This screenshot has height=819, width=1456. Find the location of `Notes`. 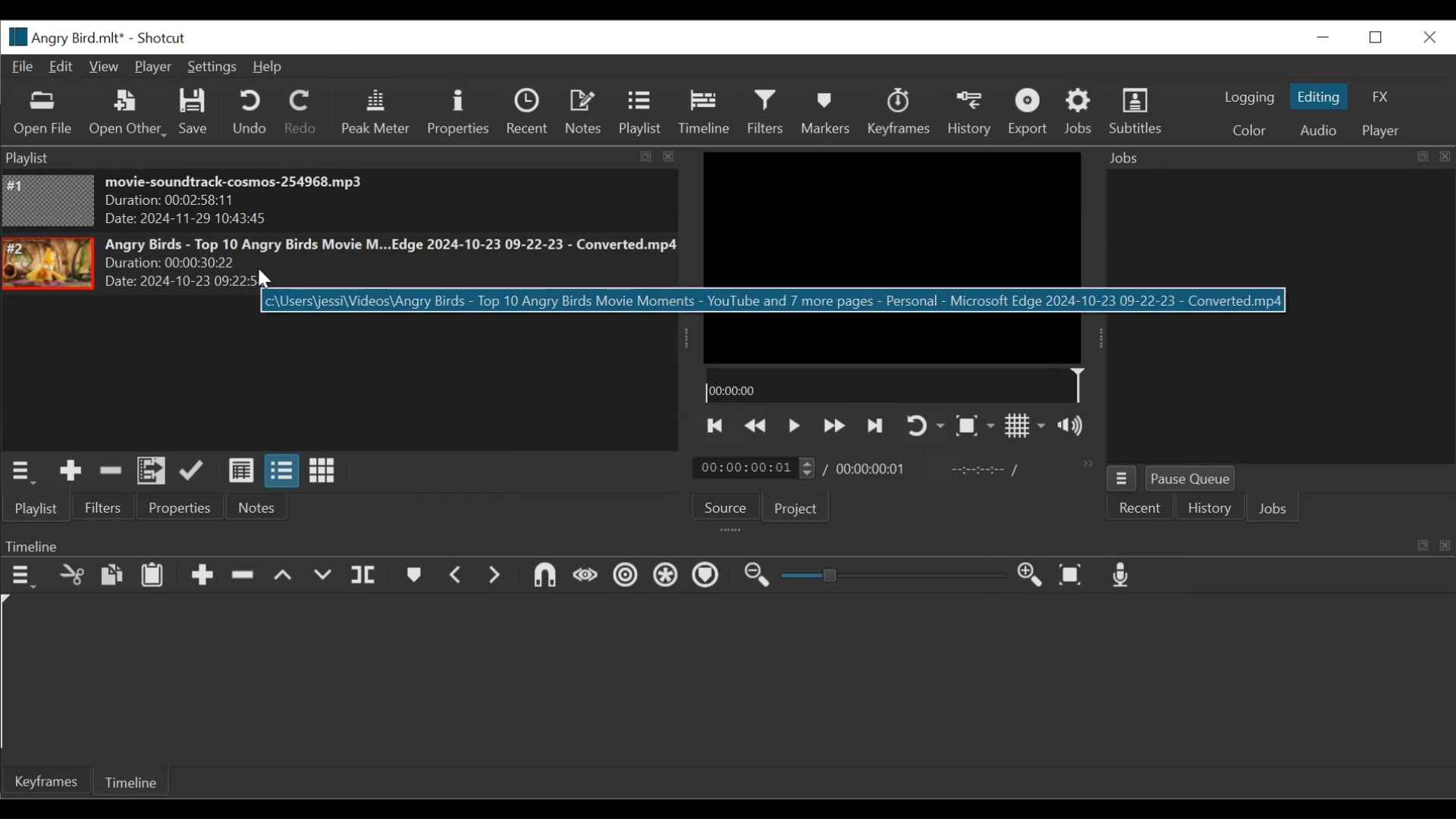

Notes is located at coordinates (256, 508).